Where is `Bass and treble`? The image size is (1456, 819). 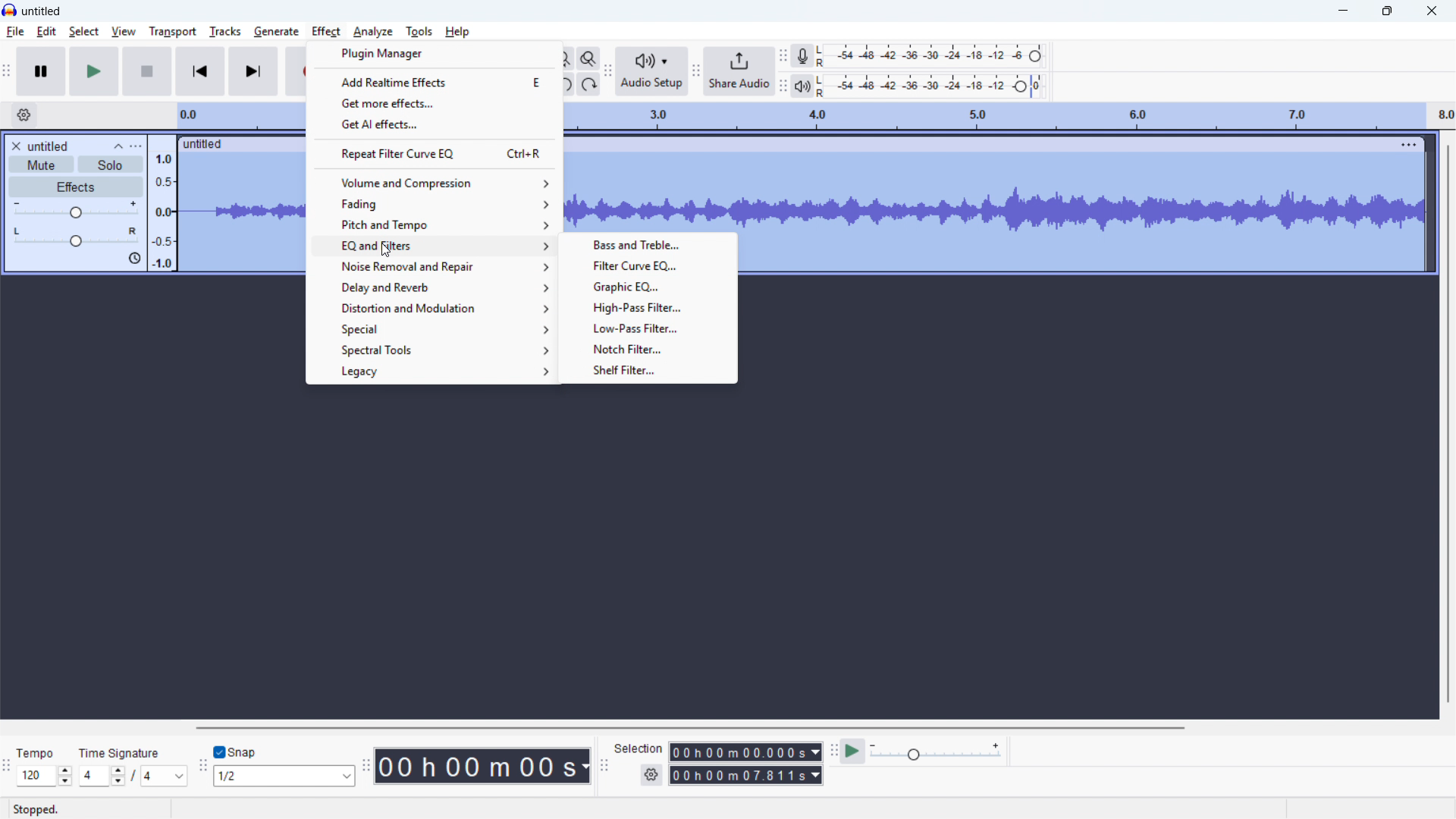 Bass and treble is located at coordinates (646, 244).